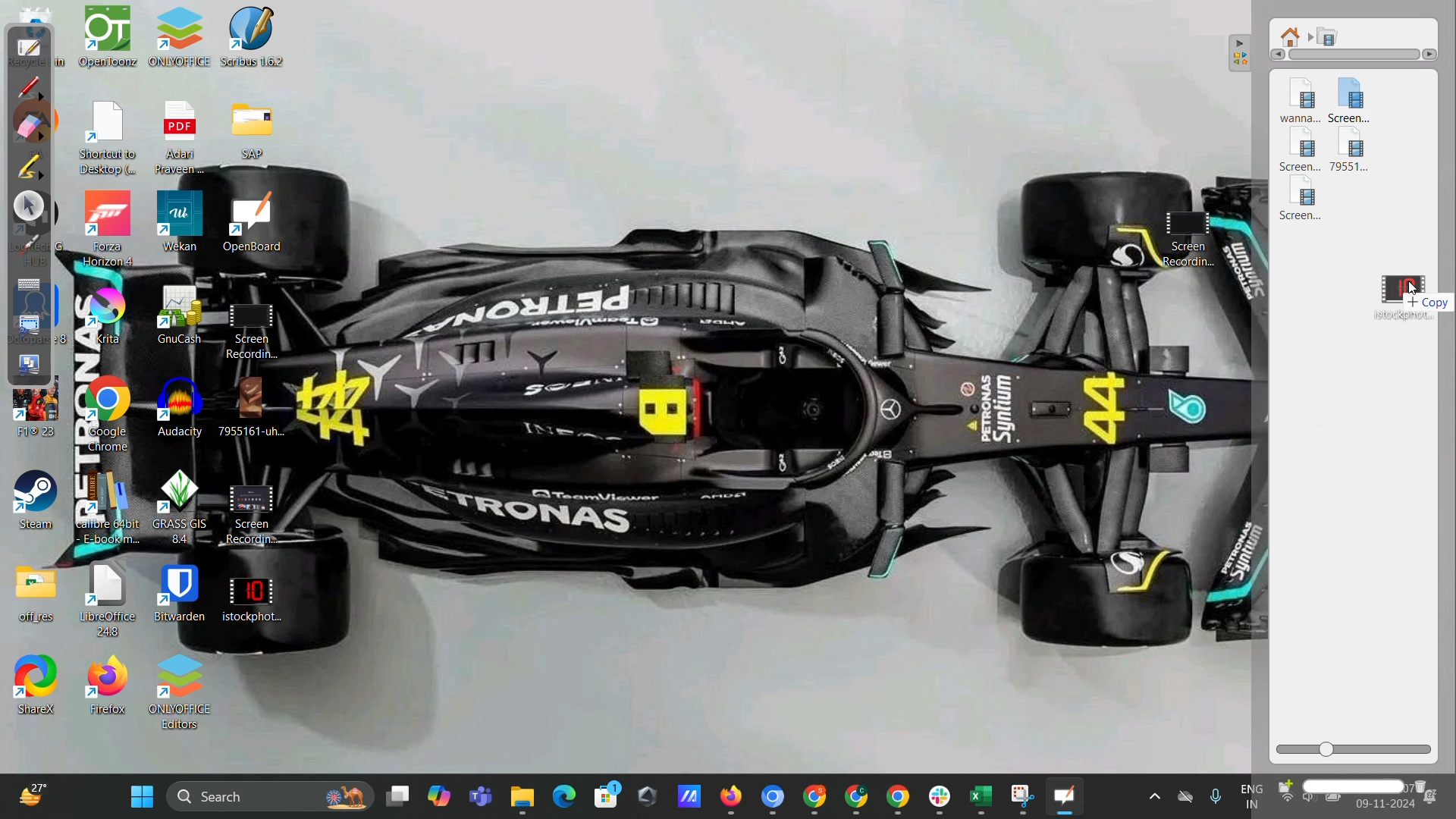 This screenshot has height=819, width=1456. I want to click on shortcuts on desktop 15, so click(36, 414).